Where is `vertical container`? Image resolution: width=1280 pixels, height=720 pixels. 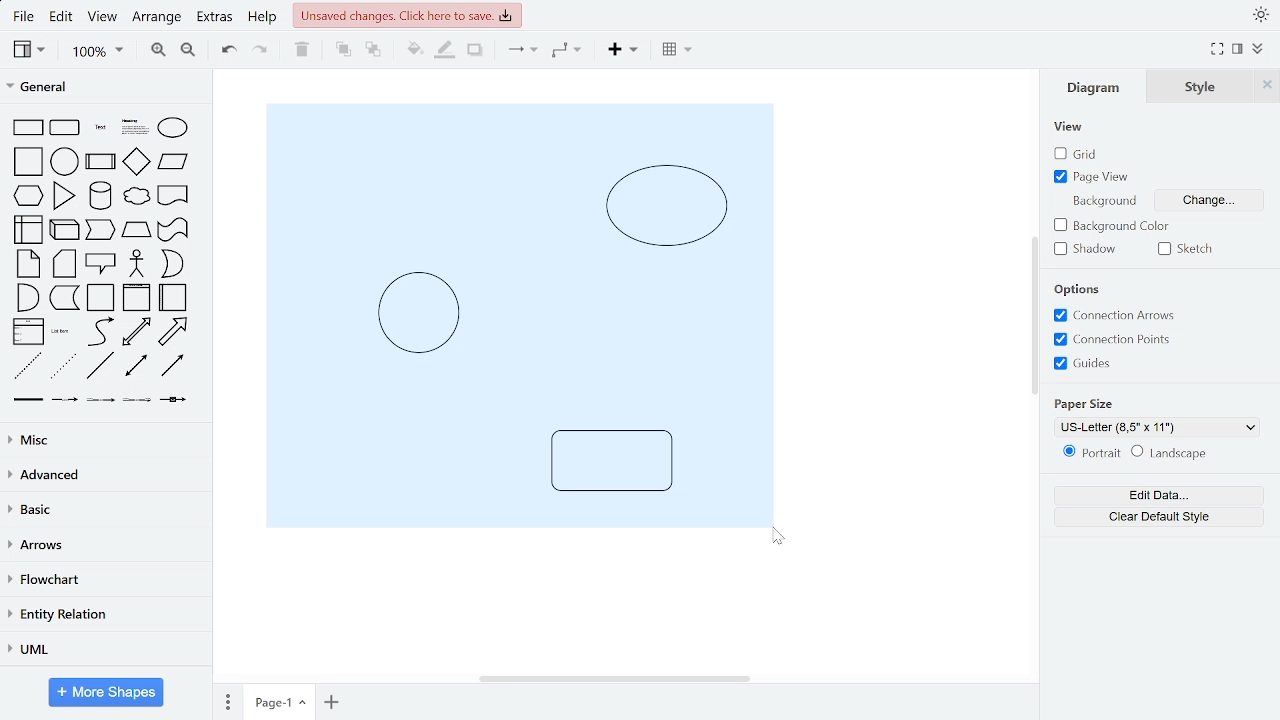 vertical container is located at coordinates (136, 299).